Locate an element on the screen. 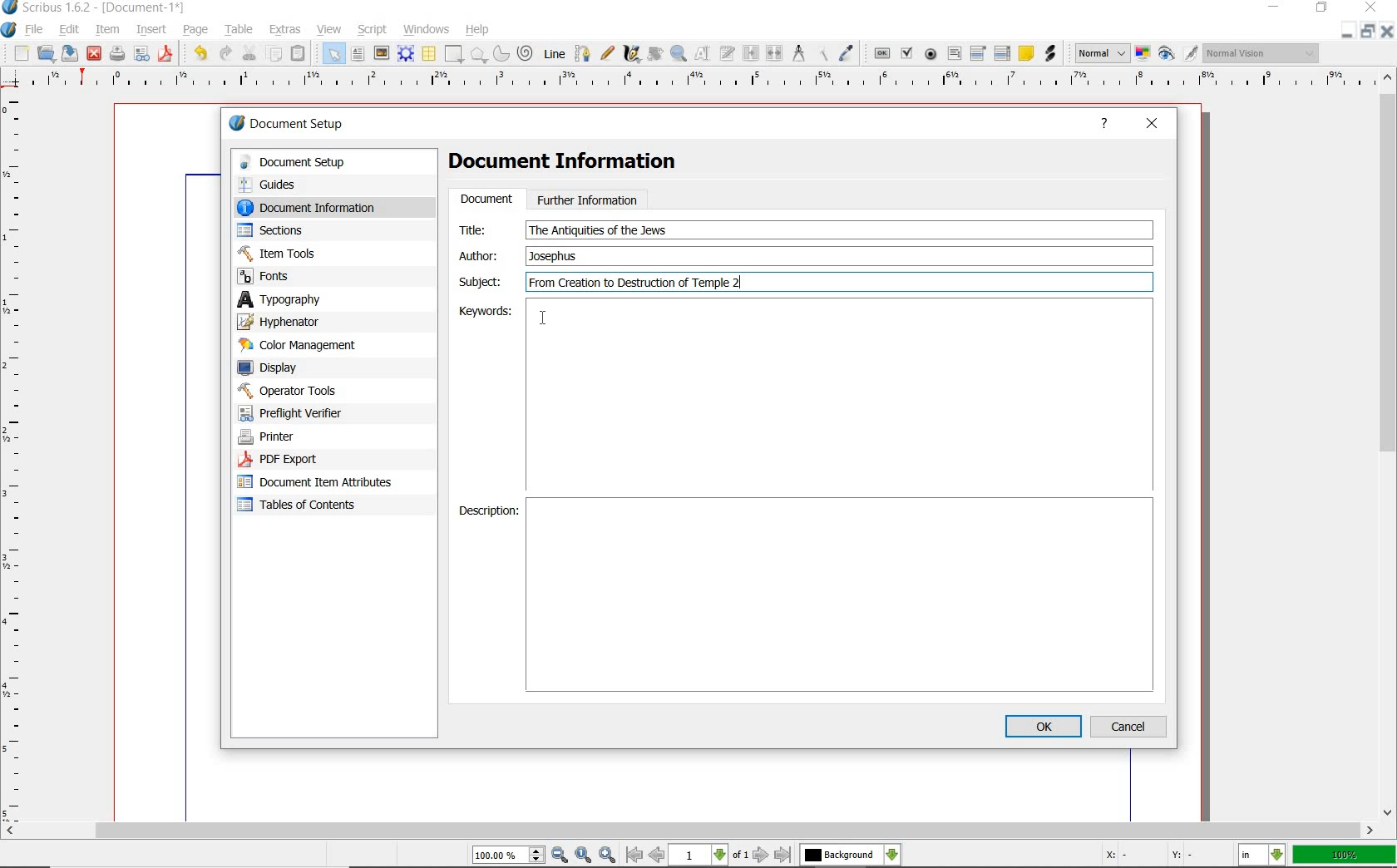 The height and width of the screenshot is (868, 1397). spiral is located at coordinates (527, 52).